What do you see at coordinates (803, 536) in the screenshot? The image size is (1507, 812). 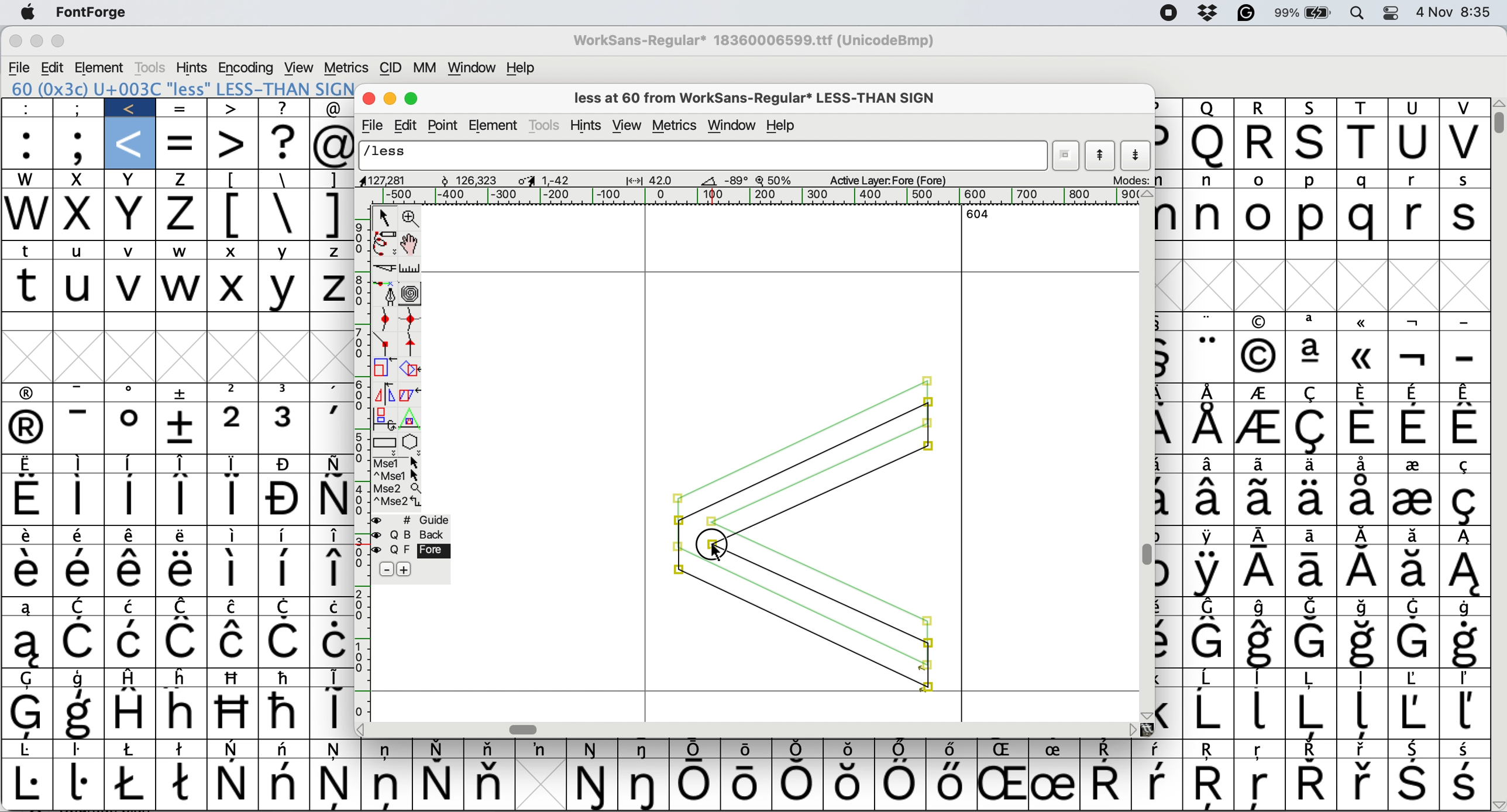 I see `drag glyph to baseline` at bounding box center [803, 536].